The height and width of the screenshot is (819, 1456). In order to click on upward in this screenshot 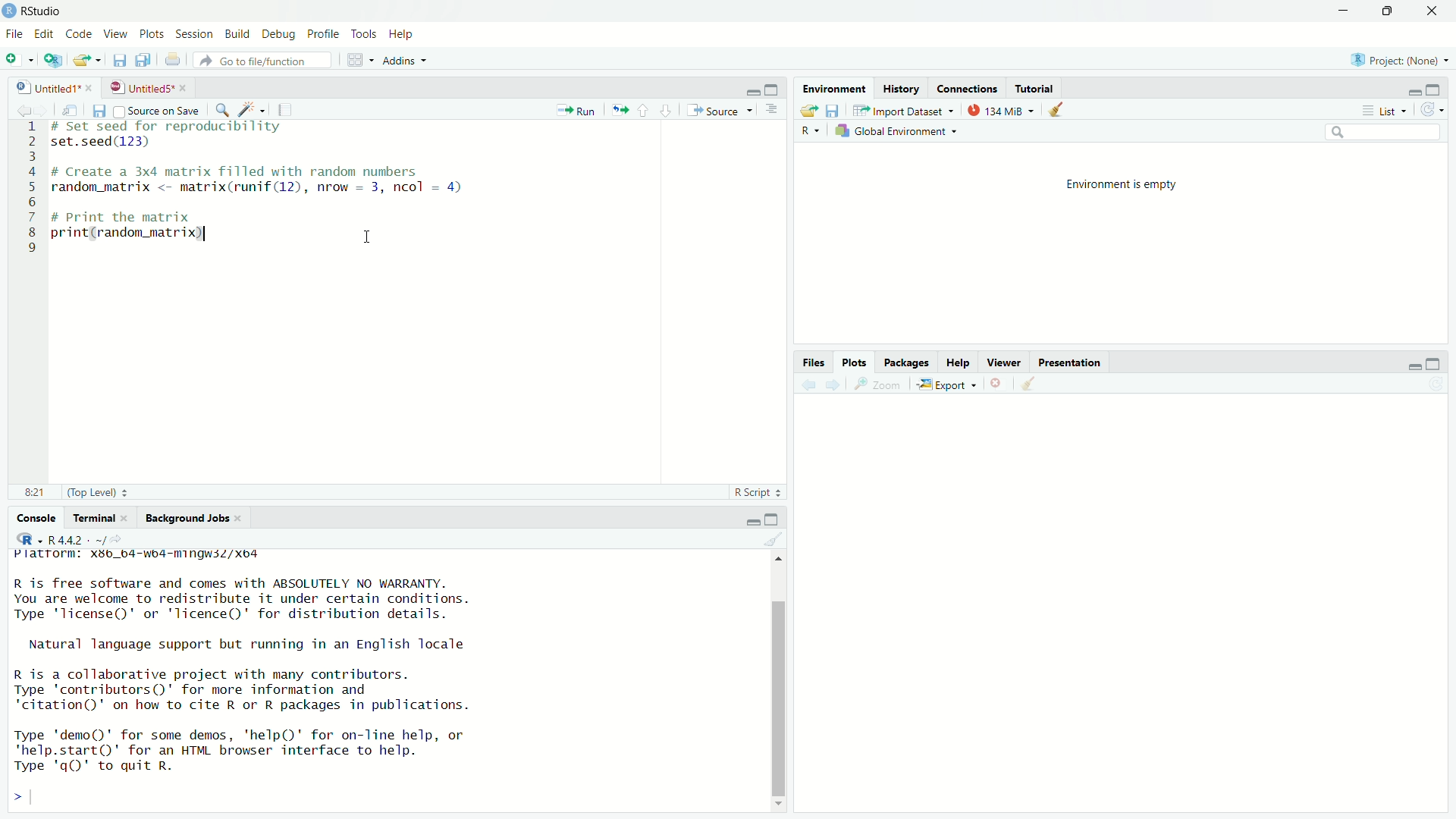, I will do `click(644, 109)`.